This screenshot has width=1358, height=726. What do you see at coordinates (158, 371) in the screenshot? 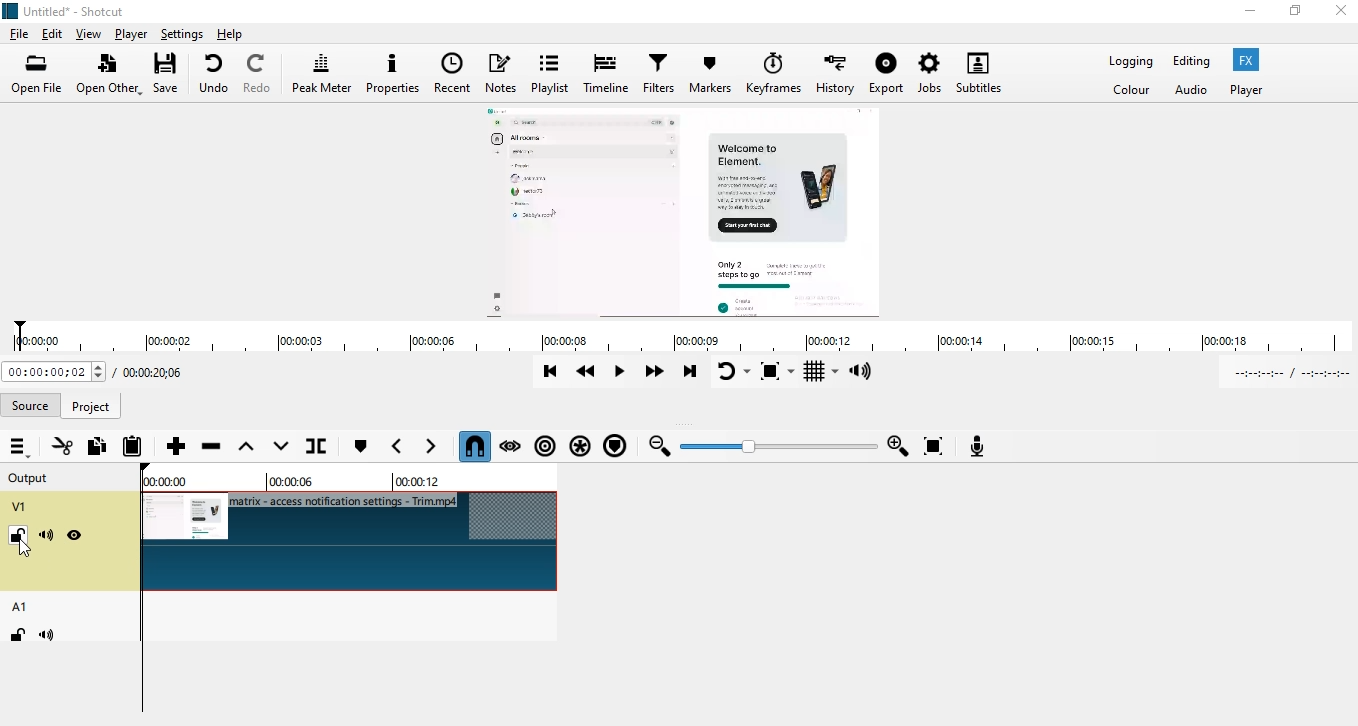
I see `total duration` at bounding box center [158, 371].